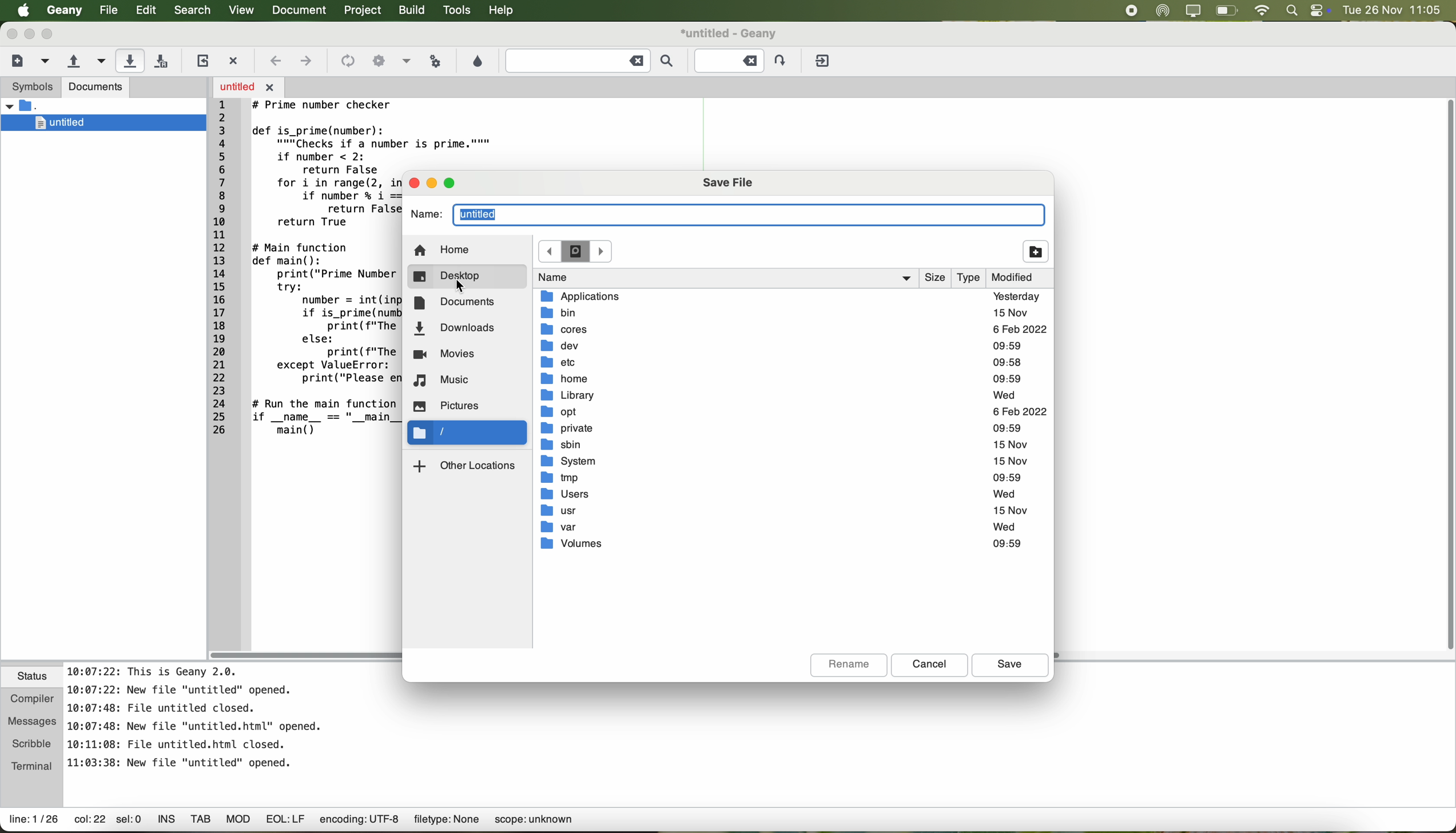 Image resolution: width=1456 pixels, height=833 pixels. I want to click on status, so click(33, 677).